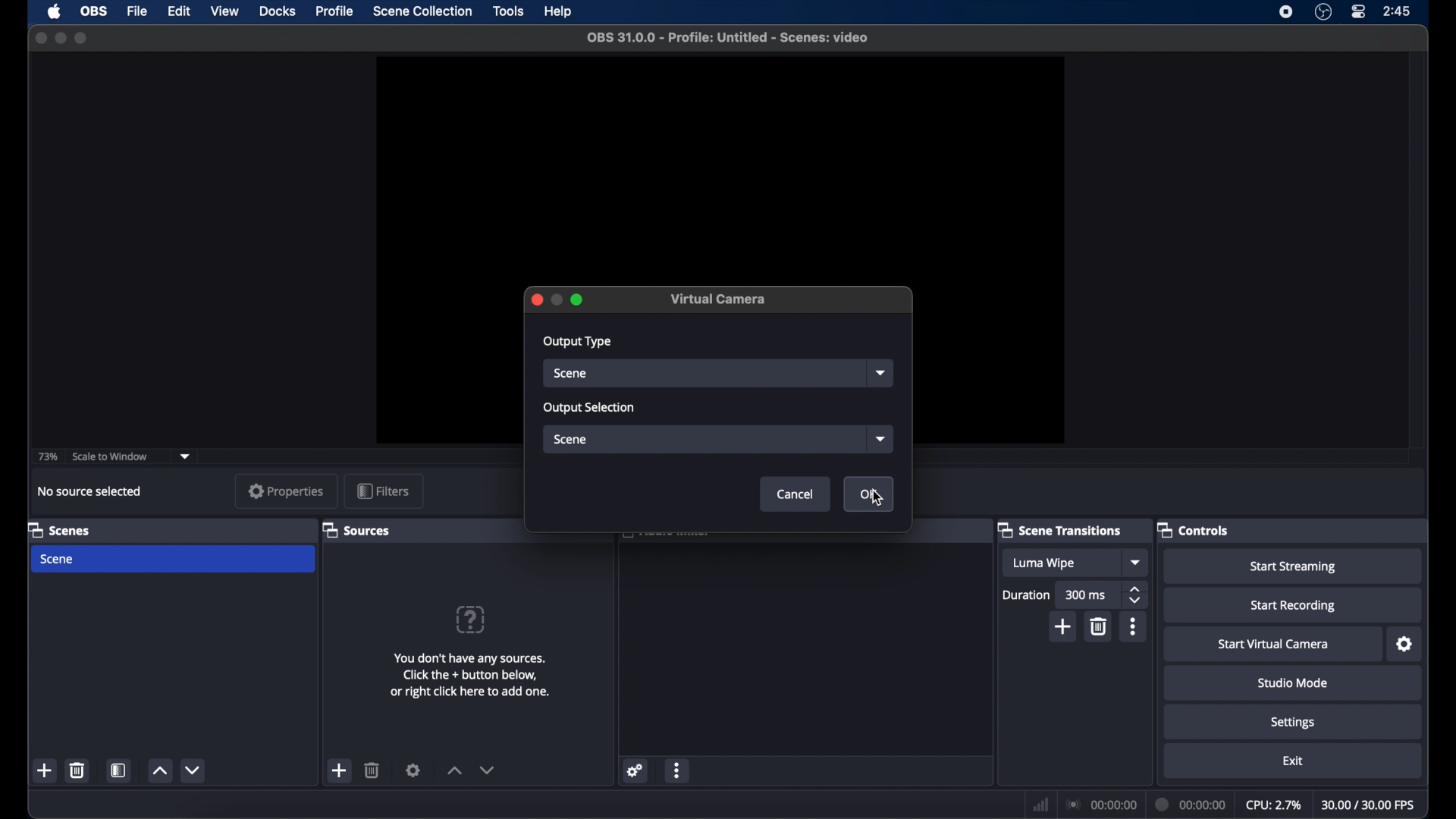 Image resolution: width=1456 pixels, height=819 pixels. Describe the element at coordinates (635, 771) in the screenshot. I see `settings` at that location.